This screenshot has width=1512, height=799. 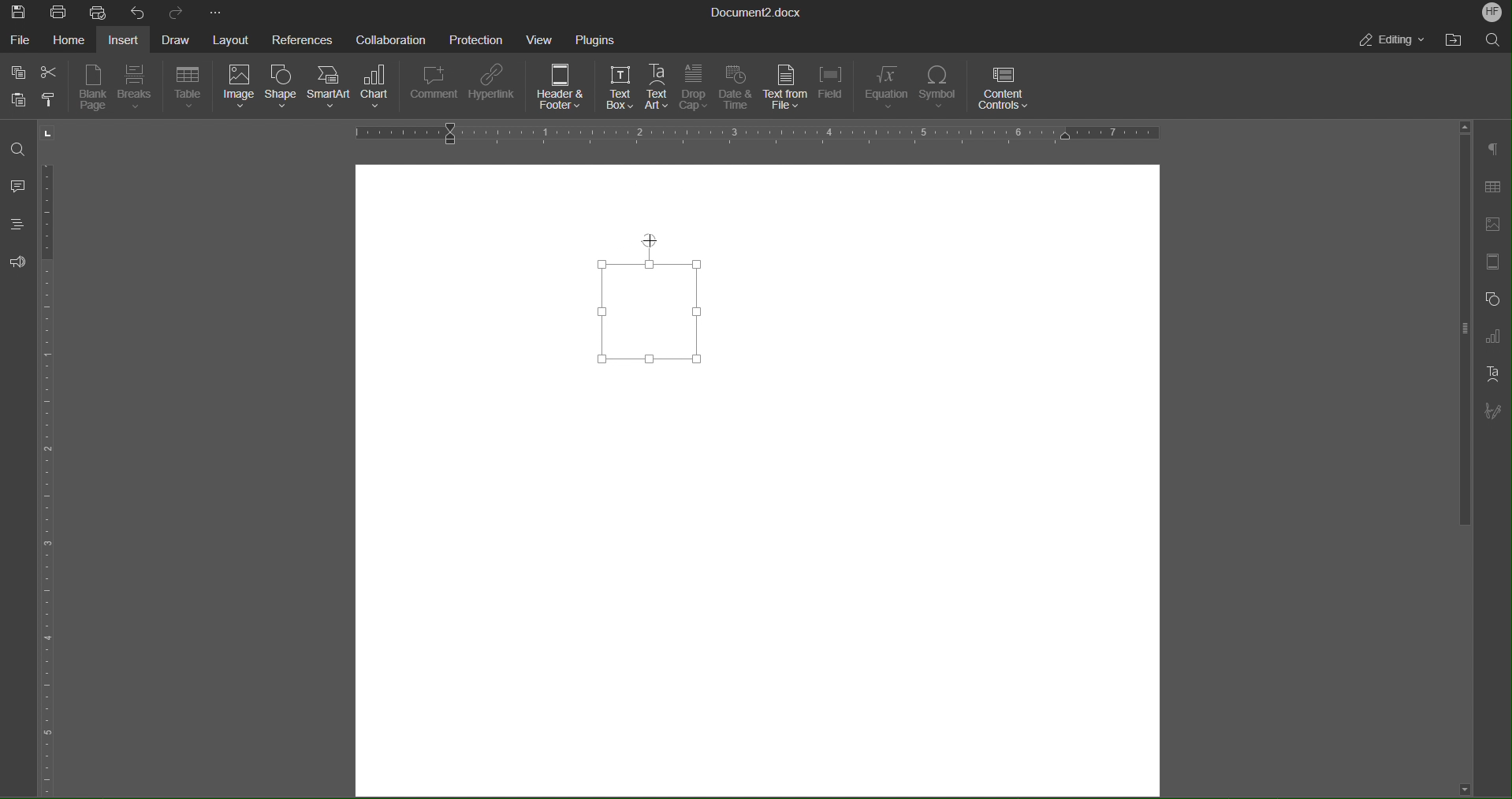 I want to click on Editing, so click(x=1395, y=42).